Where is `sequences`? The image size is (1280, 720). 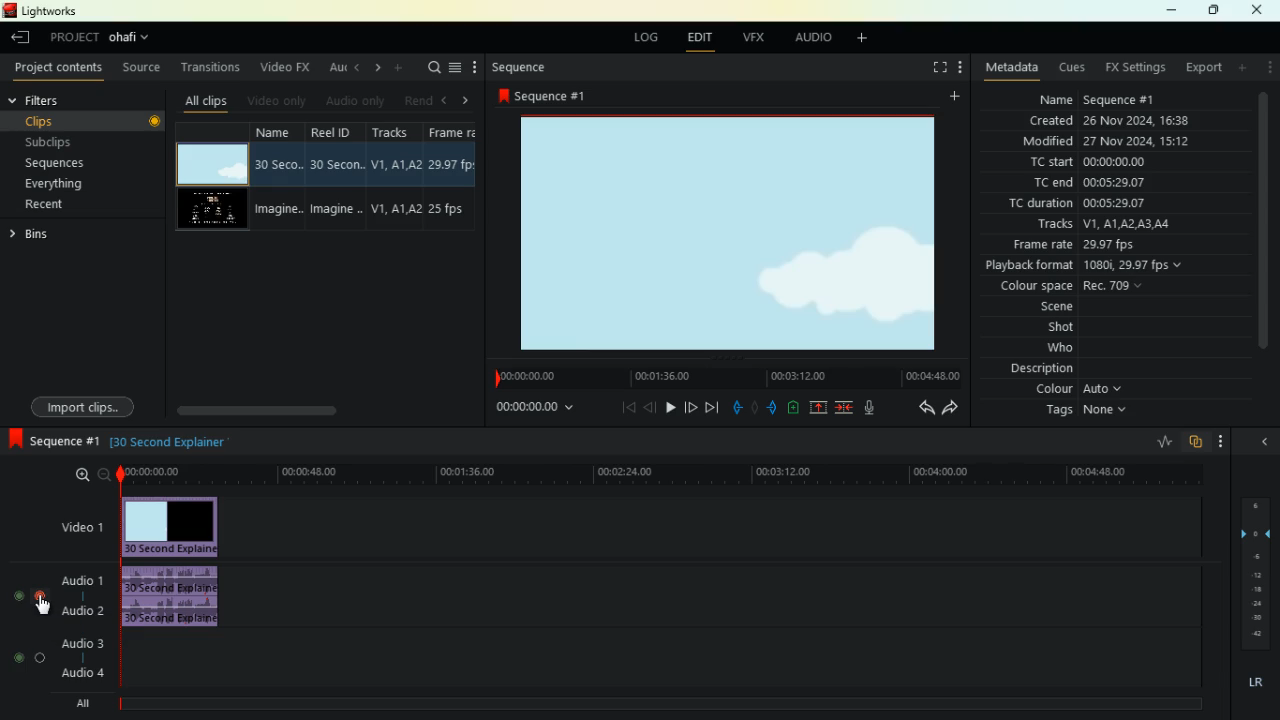
sequences is located at coordinates (59, 162).